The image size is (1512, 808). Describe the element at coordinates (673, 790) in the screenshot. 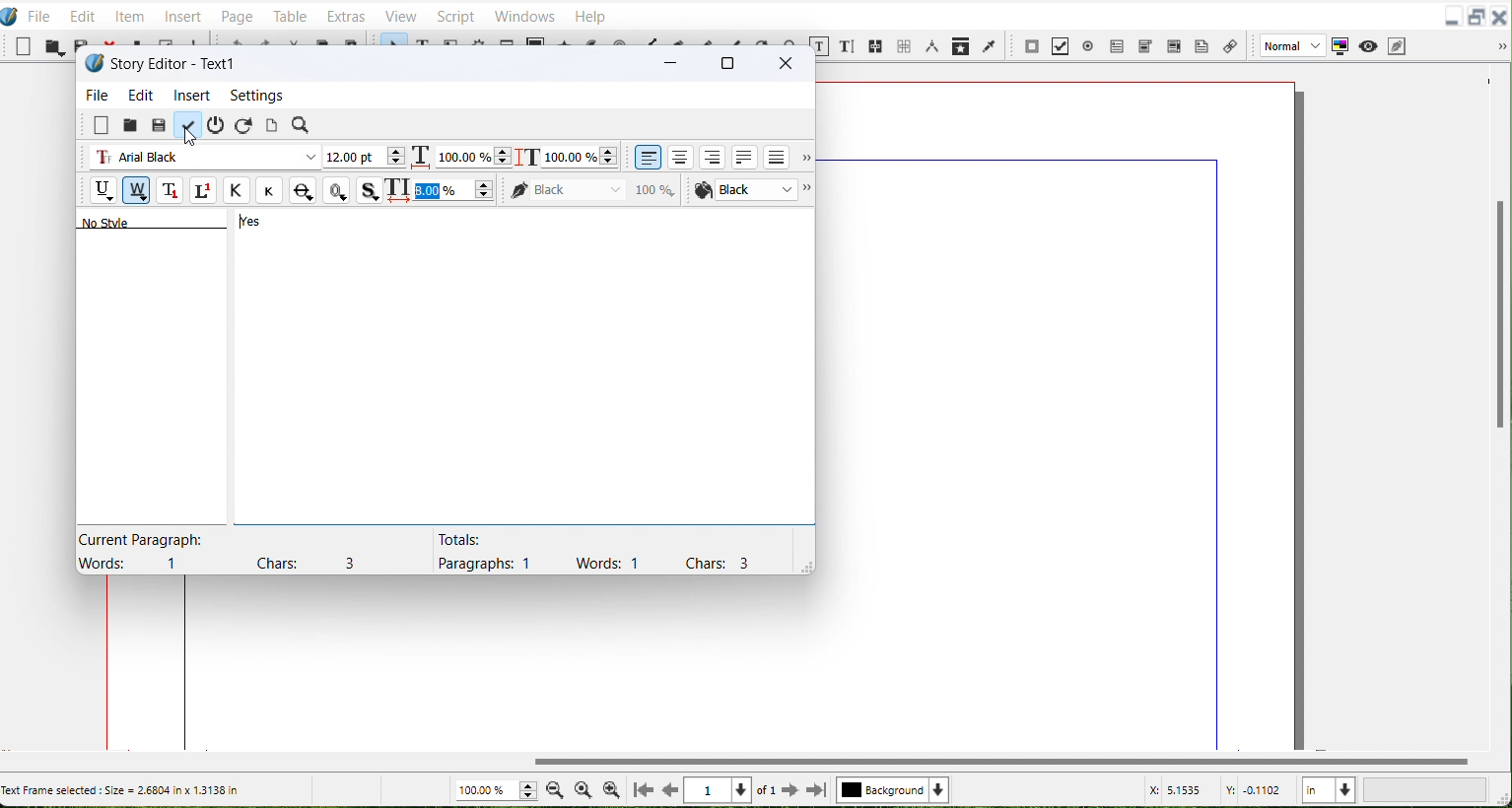

I see `Go to previous page` at that location.